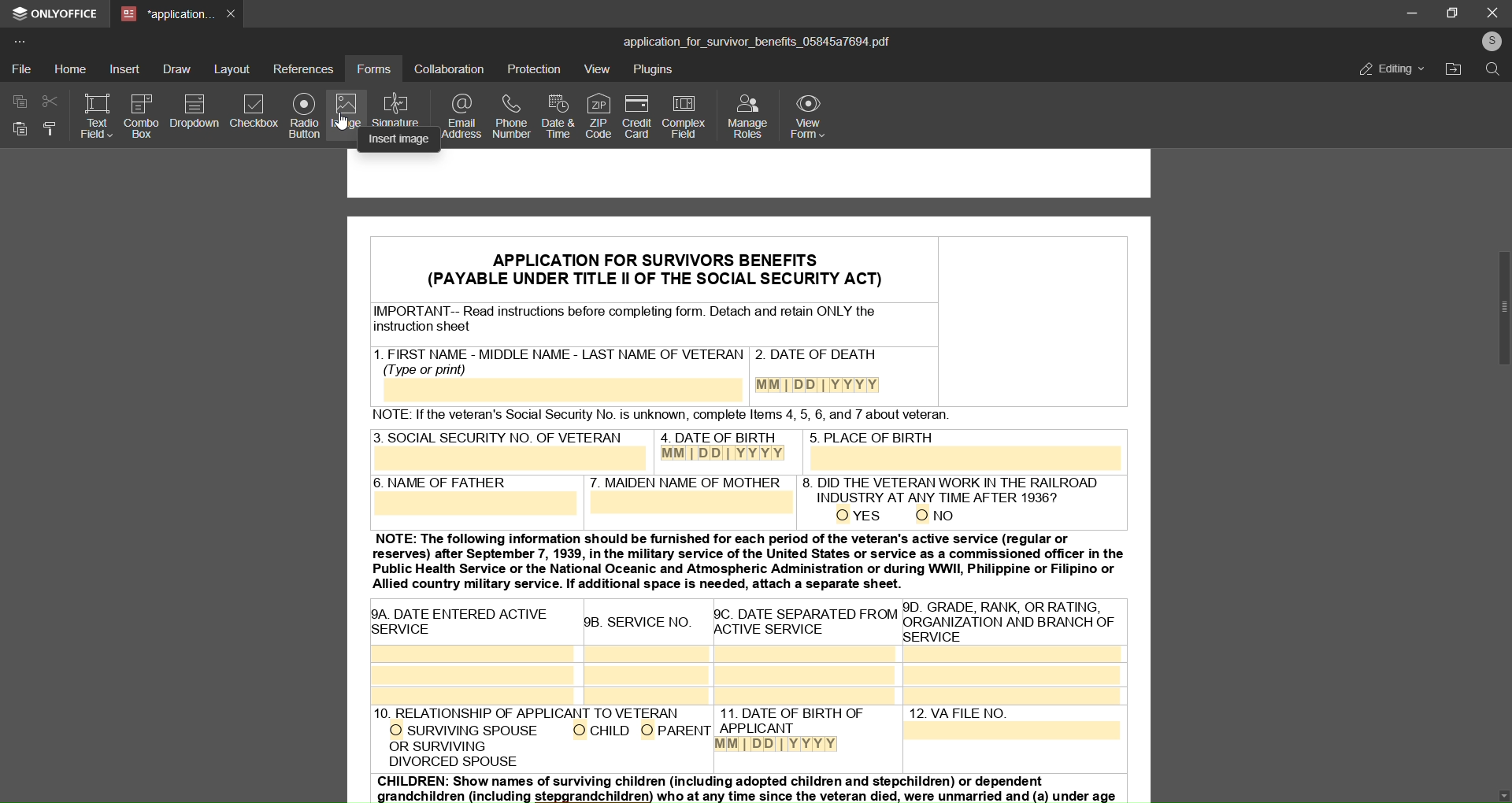  I want to click on more, so click(23, 40).